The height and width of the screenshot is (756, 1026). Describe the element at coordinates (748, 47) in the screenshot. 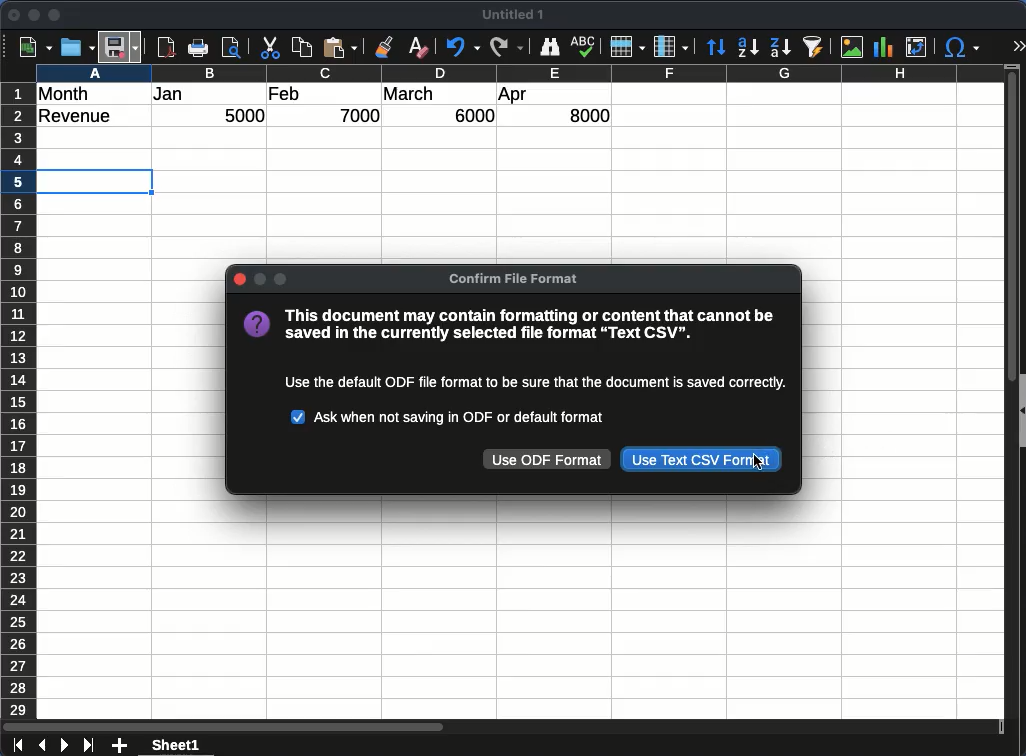

I see `ascending` at that location.